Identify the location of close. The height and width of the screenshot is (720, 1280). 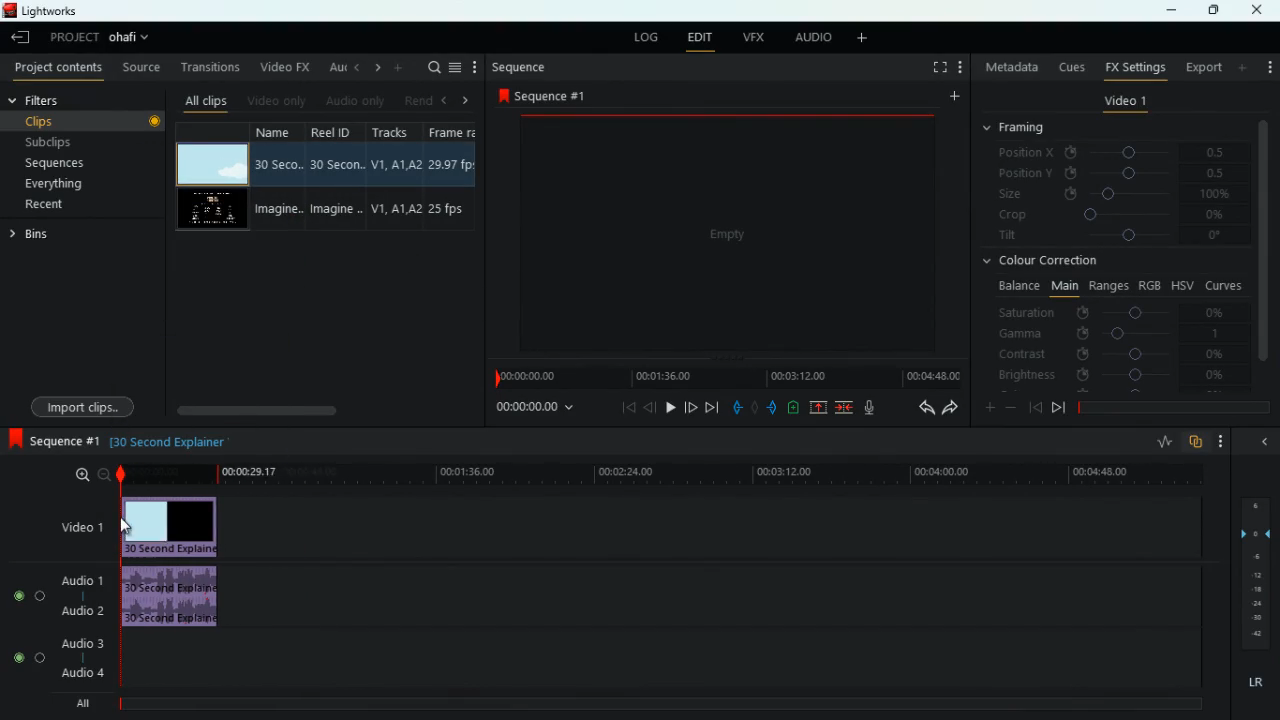
(1259, 10).